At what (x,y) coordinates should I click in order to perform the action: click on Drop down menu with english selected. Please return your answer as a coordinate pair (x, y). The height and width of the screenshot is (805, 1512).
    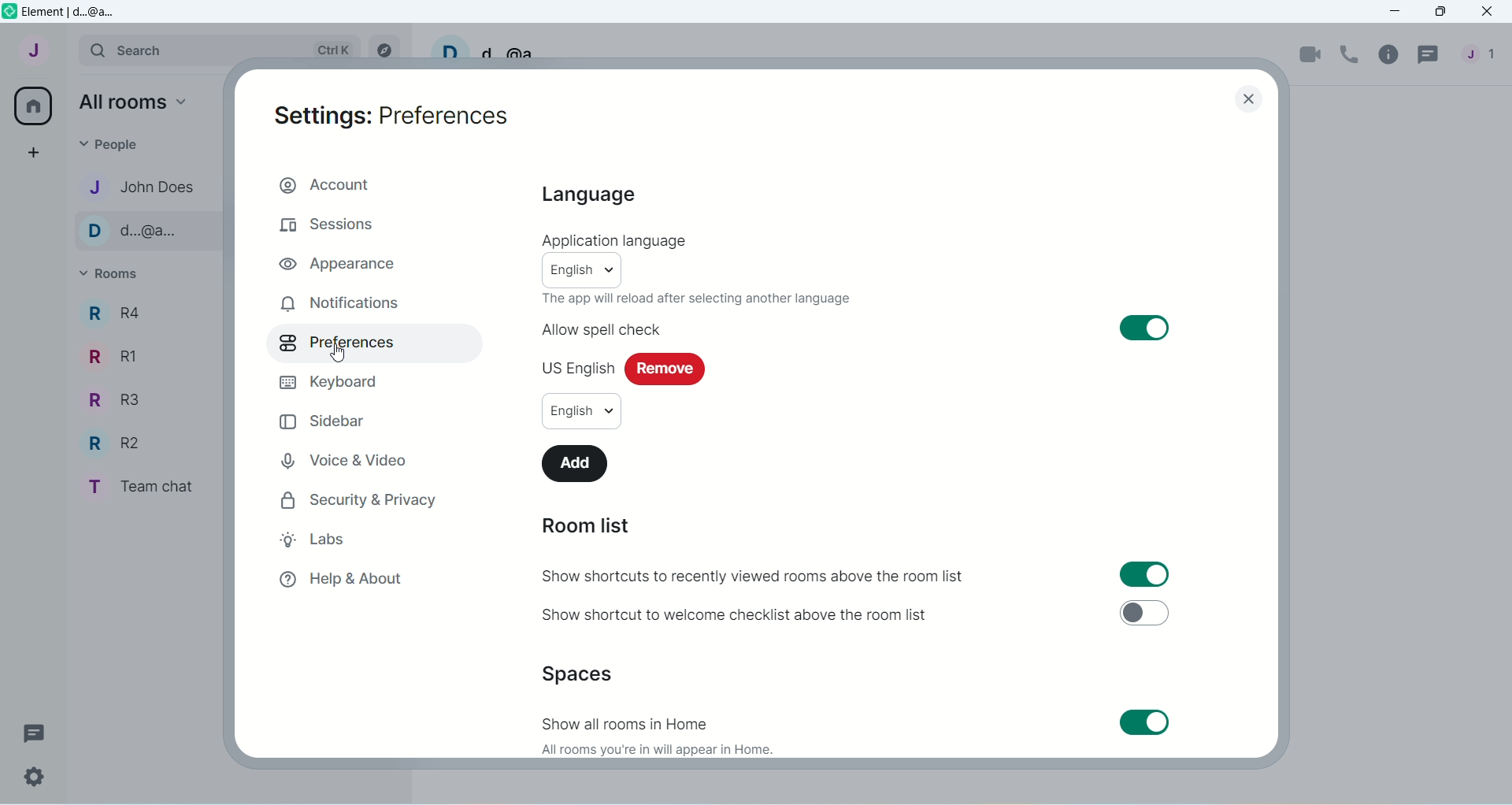
    Looking at the image, I should click on (585, 413).